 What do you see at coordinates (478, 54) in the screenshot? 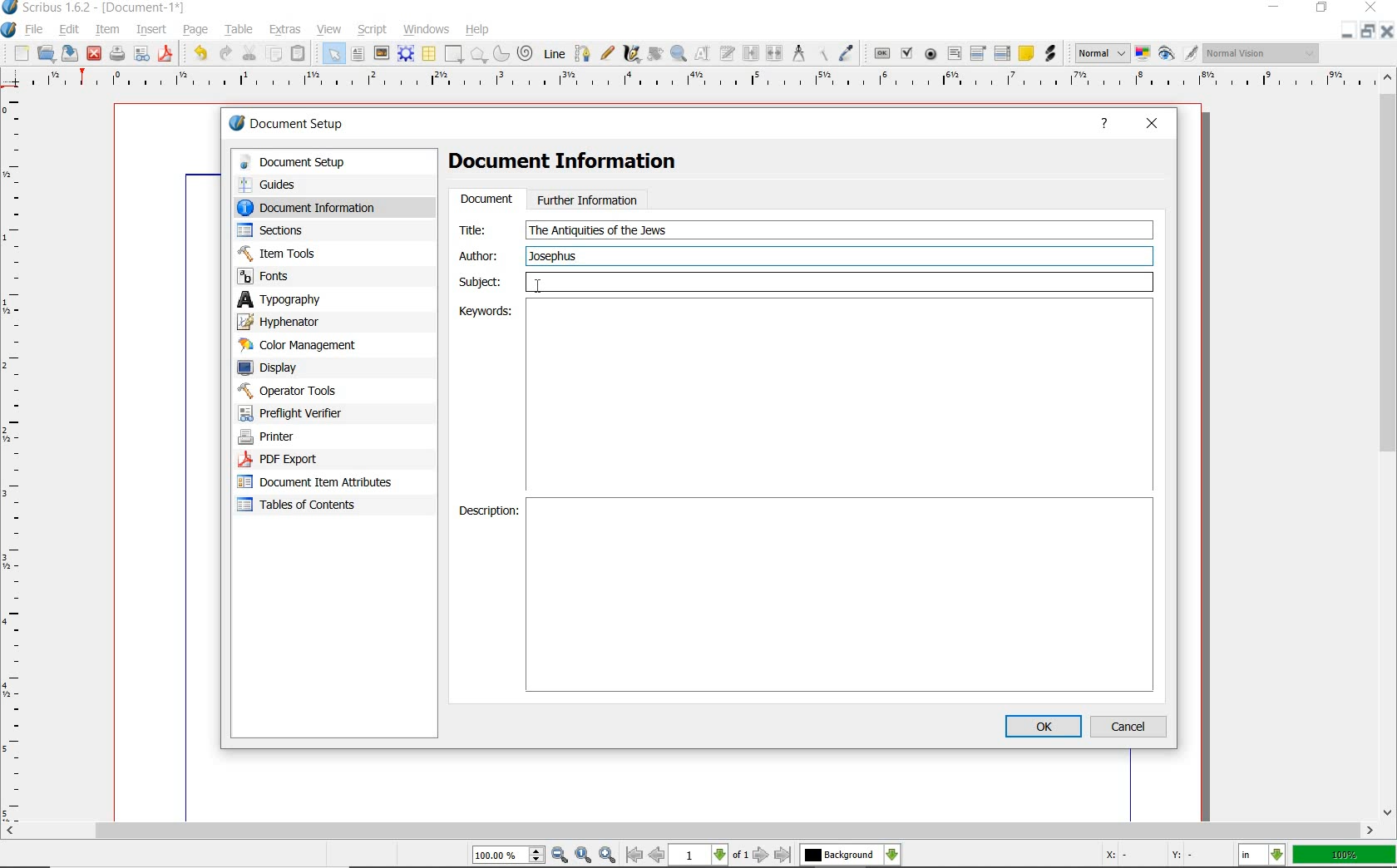
I see `shape` at bounding box center [478, 54].